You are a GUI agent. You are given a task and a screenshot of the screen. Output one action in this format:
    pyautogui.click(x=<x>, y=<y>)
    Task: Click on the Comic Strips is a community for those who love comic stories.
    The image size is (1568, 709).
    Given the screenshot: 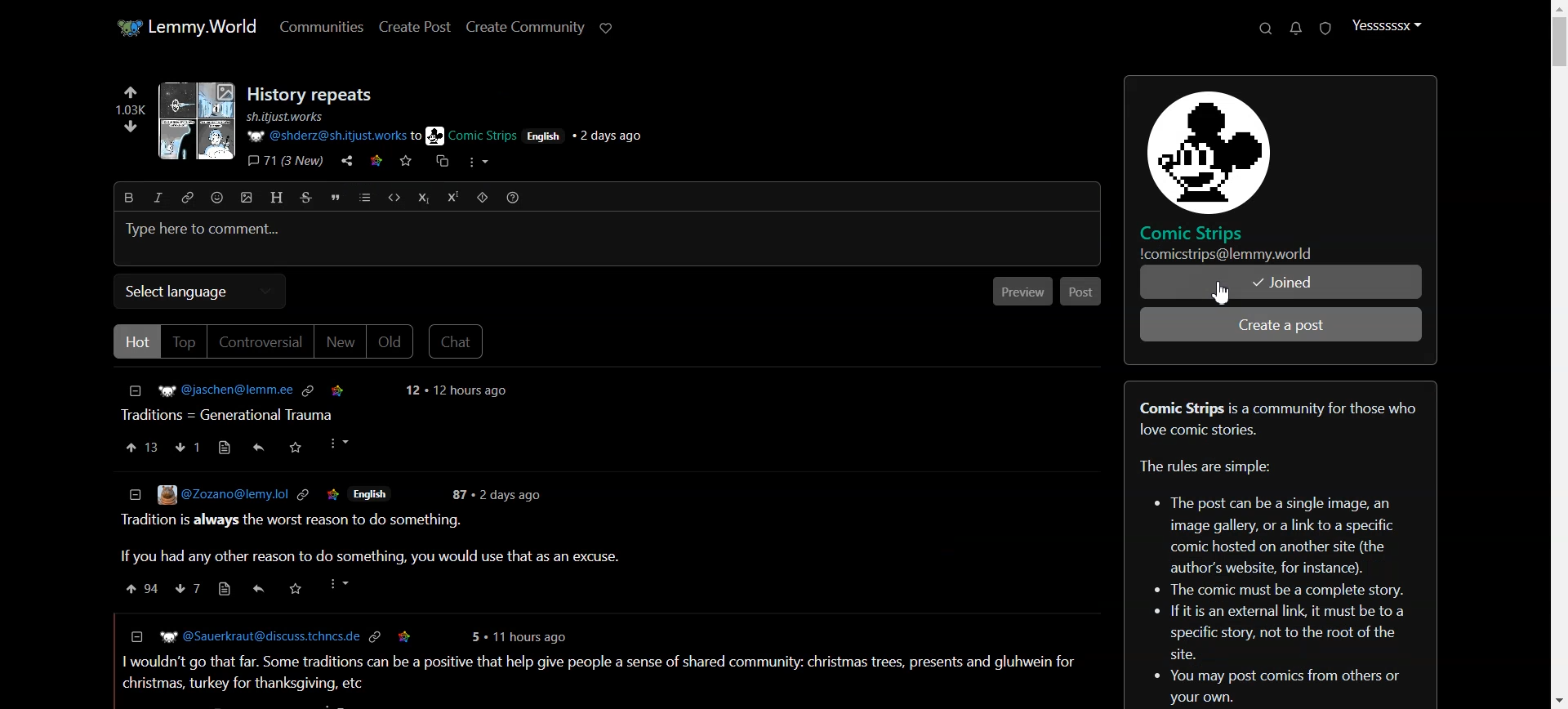 What is the action you would take?
    pyautogui.click(x=1276, y=417)
    